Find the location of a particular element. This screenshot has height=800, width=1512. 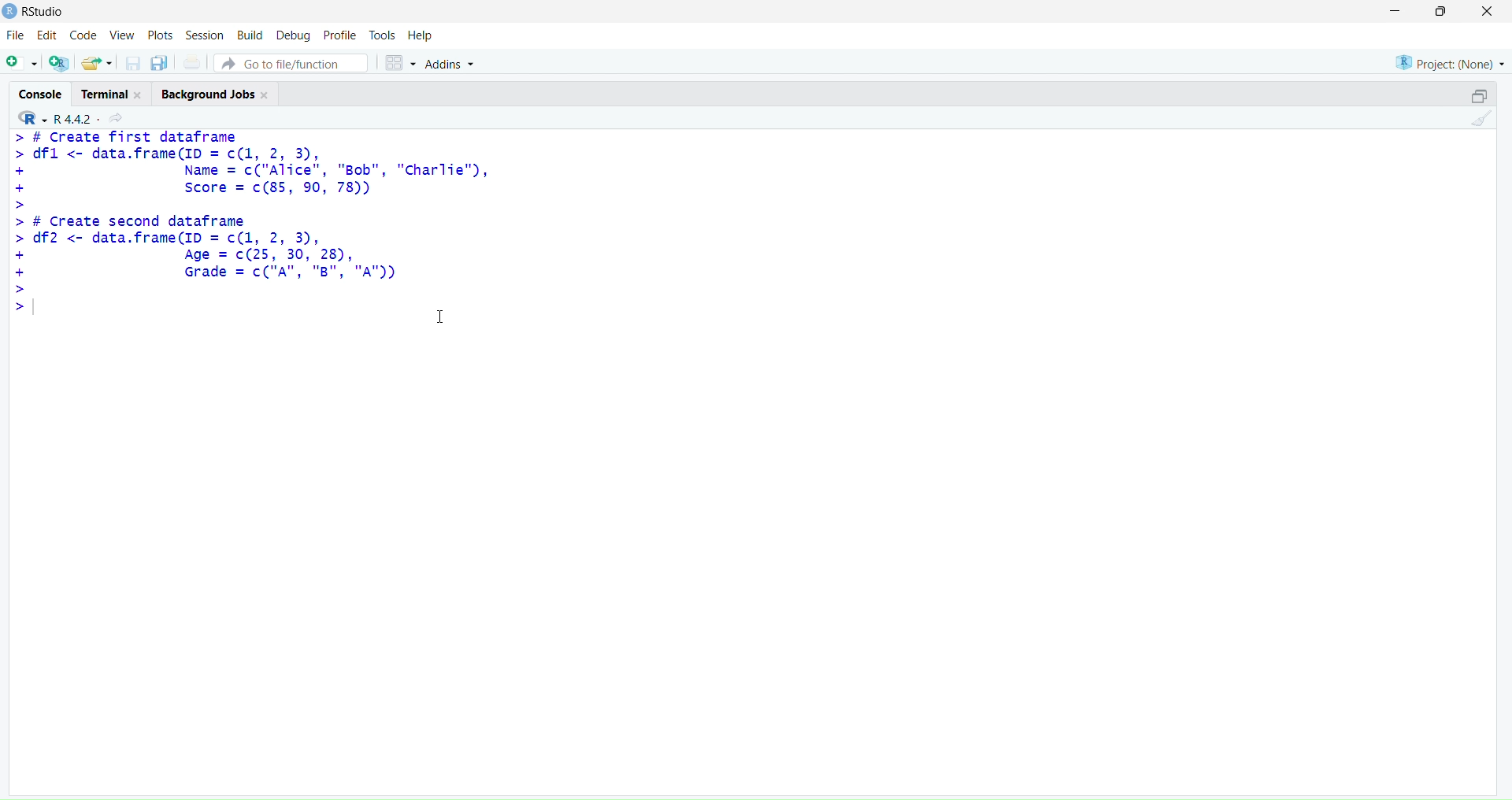

Tools is located at coordinates (381, 35).